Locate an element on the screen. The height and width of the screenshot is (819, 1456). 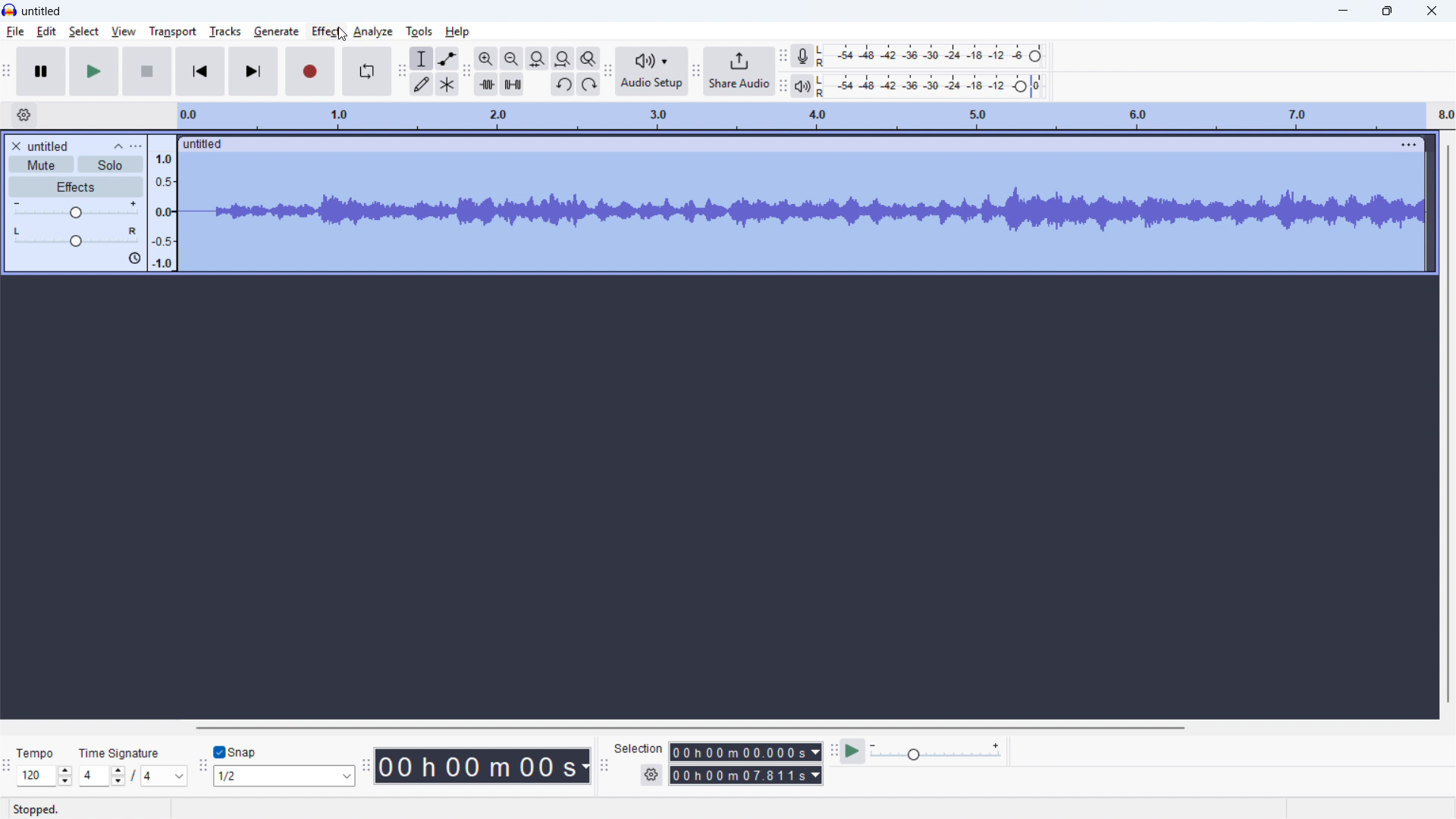
skip to start is located at coordinates (200, 71).